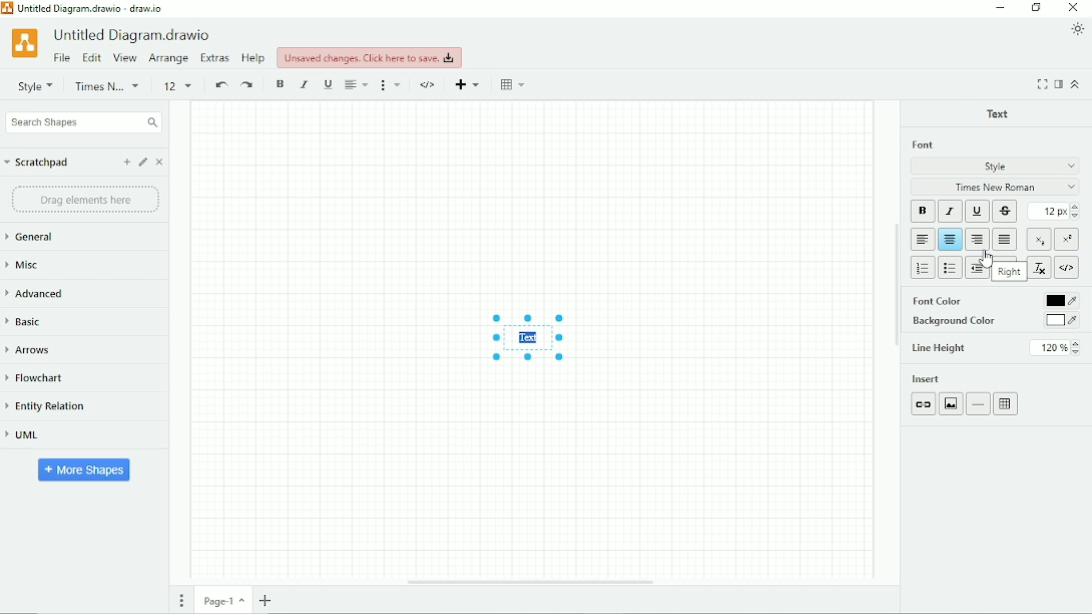  Describe the element at coordinates (222, 600) in the screenshot. I see `Page number` at that location.